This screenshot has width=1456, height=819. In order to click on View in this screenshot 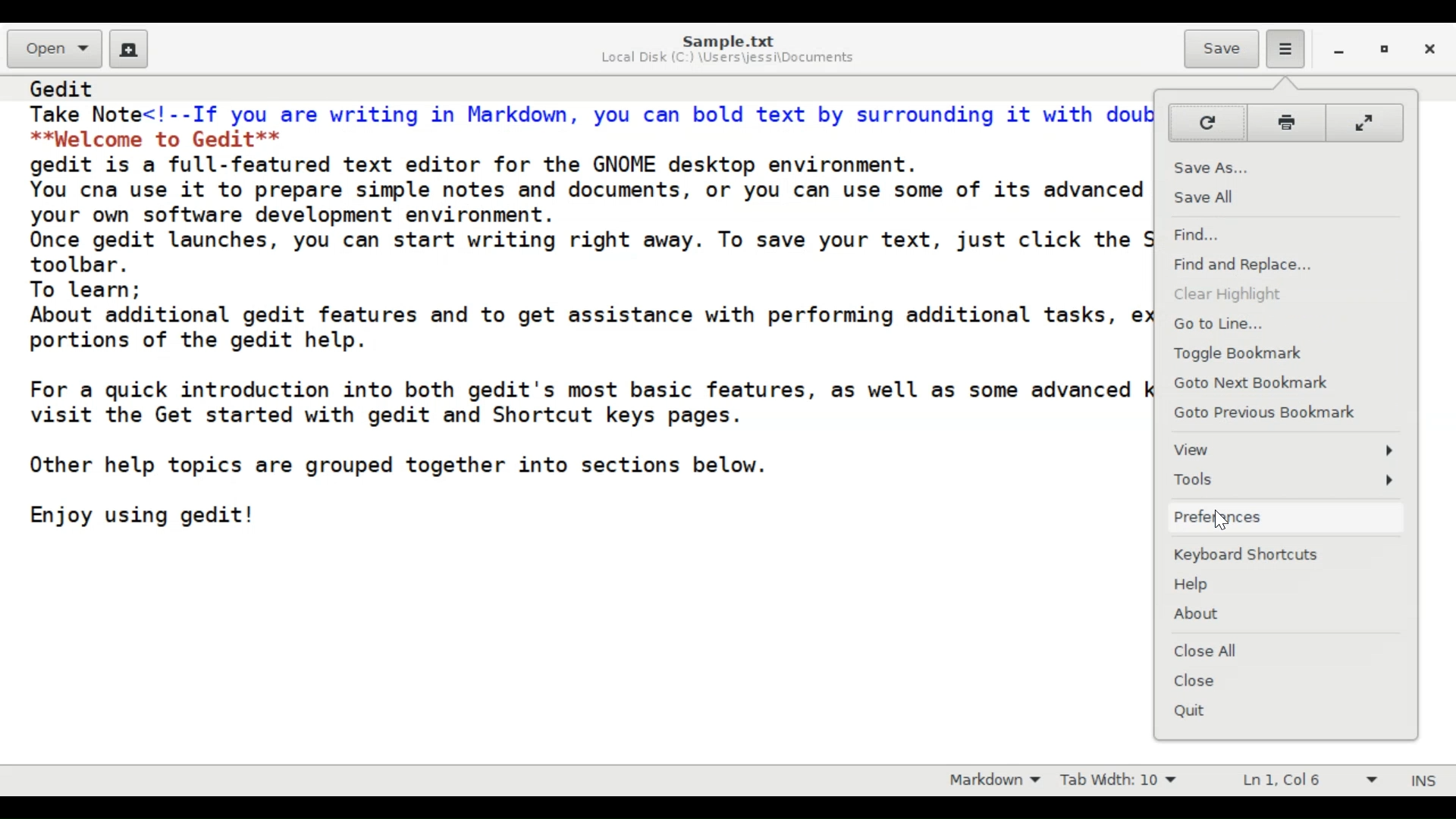, I will do `click(1284, 450)`.